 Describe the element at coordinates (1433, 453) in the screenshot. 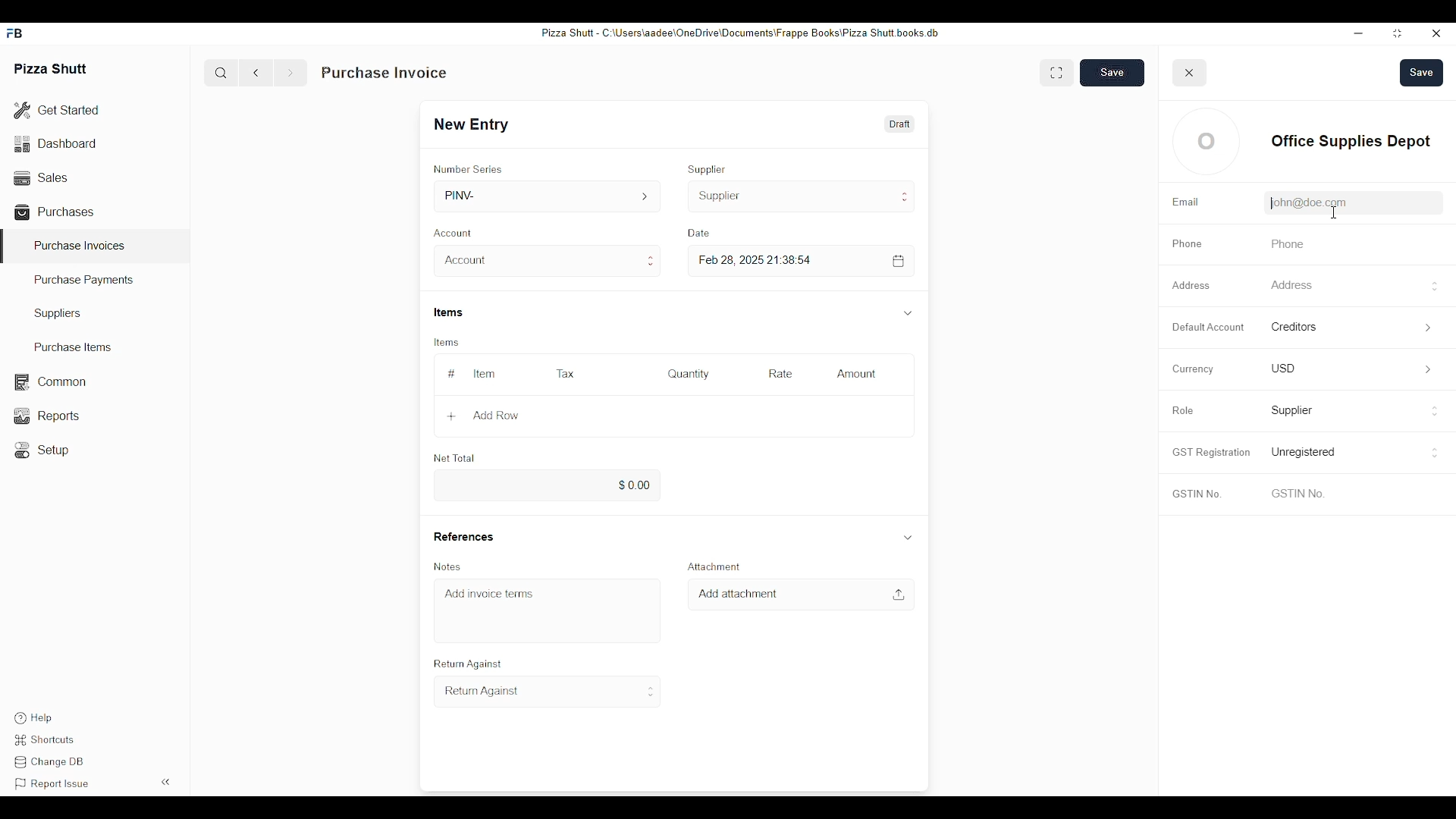

I see `buttons` at that location.